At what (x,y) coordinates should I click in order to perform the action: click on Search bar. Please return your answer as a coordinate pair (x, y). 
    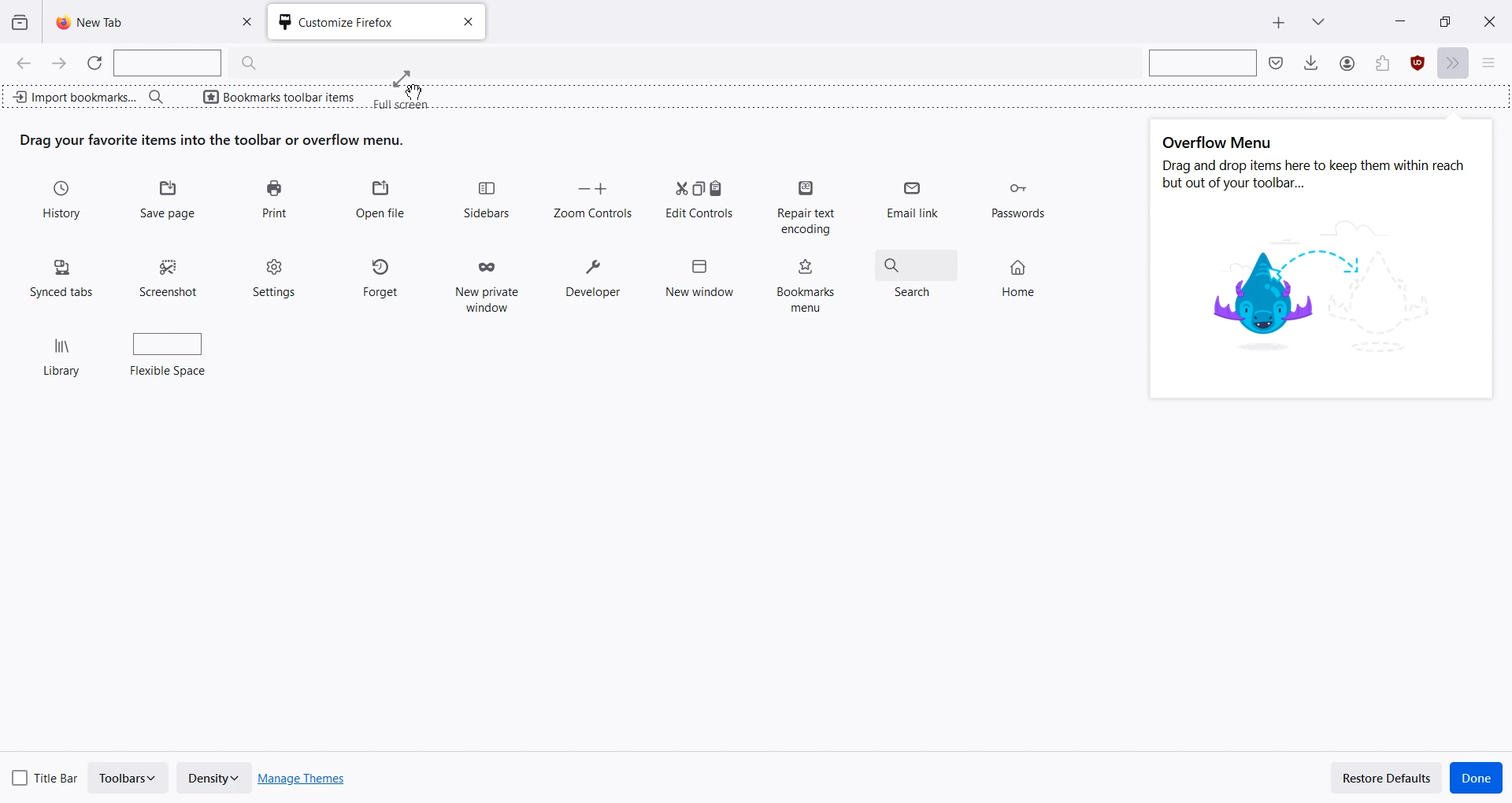
    Looking at the image, I should click on (156, 96).